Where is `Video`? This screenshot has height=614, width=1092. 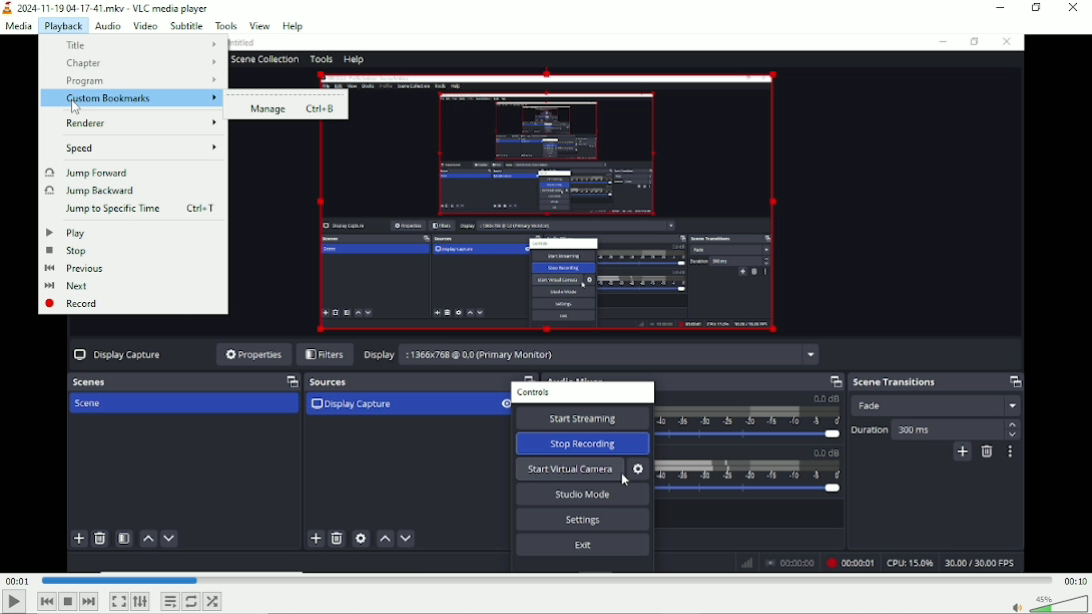 Video is located at coordinates (145, 25).